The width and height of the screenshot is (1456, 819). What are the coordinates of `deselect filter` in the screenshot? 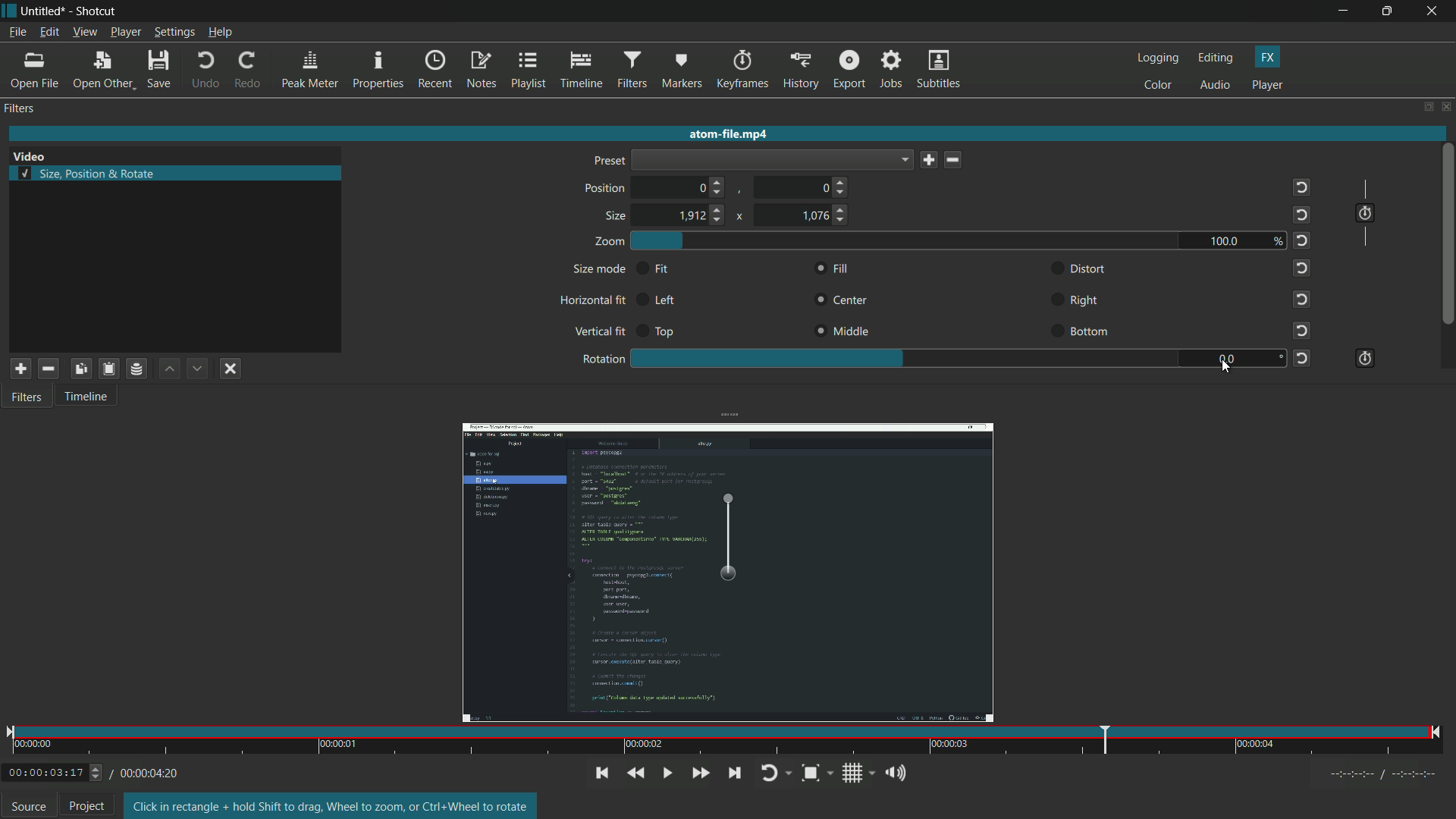 It's located at (231, 370).